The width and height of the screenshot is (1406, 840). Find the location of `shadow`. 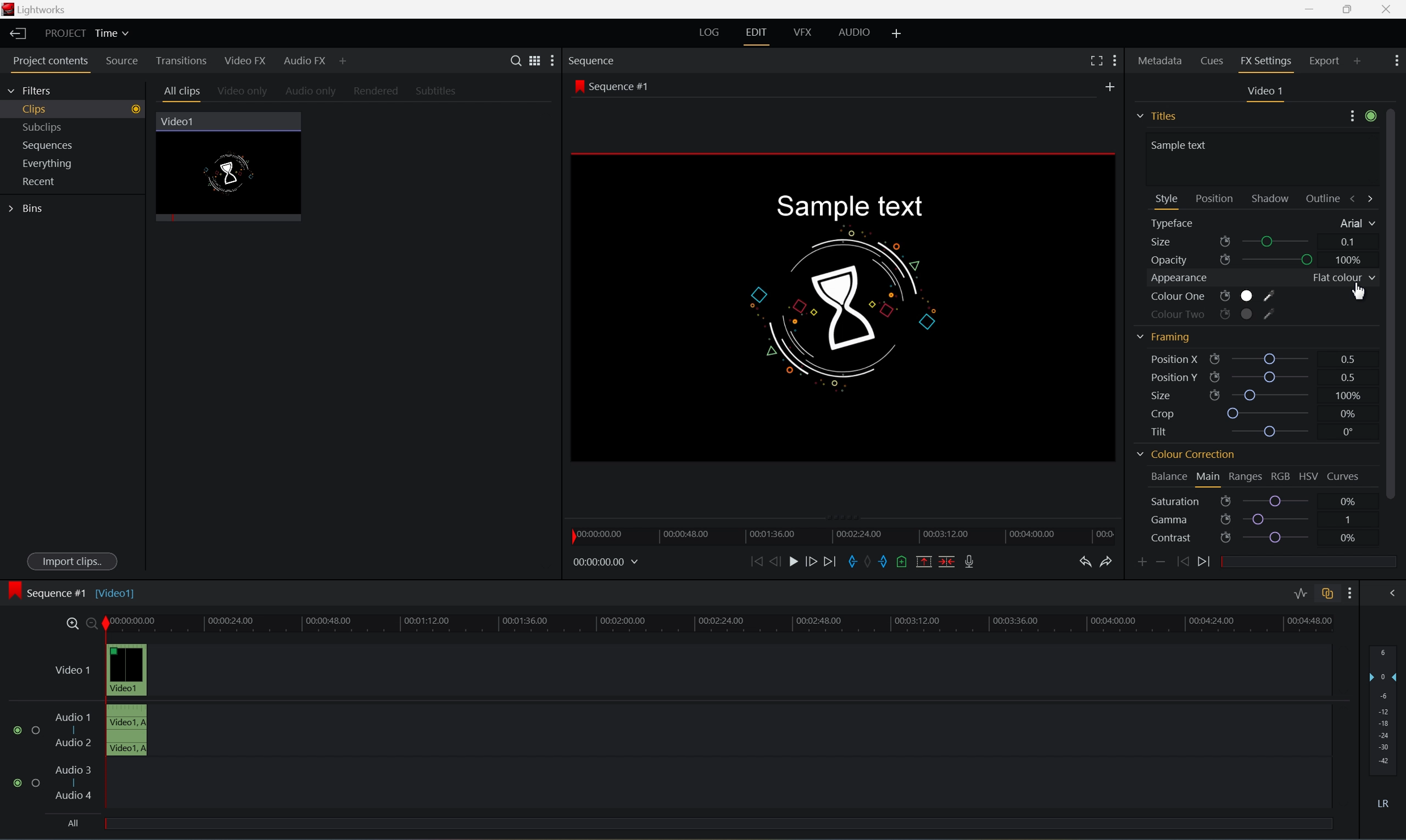

shadow is located at coordinates (1273, 198).